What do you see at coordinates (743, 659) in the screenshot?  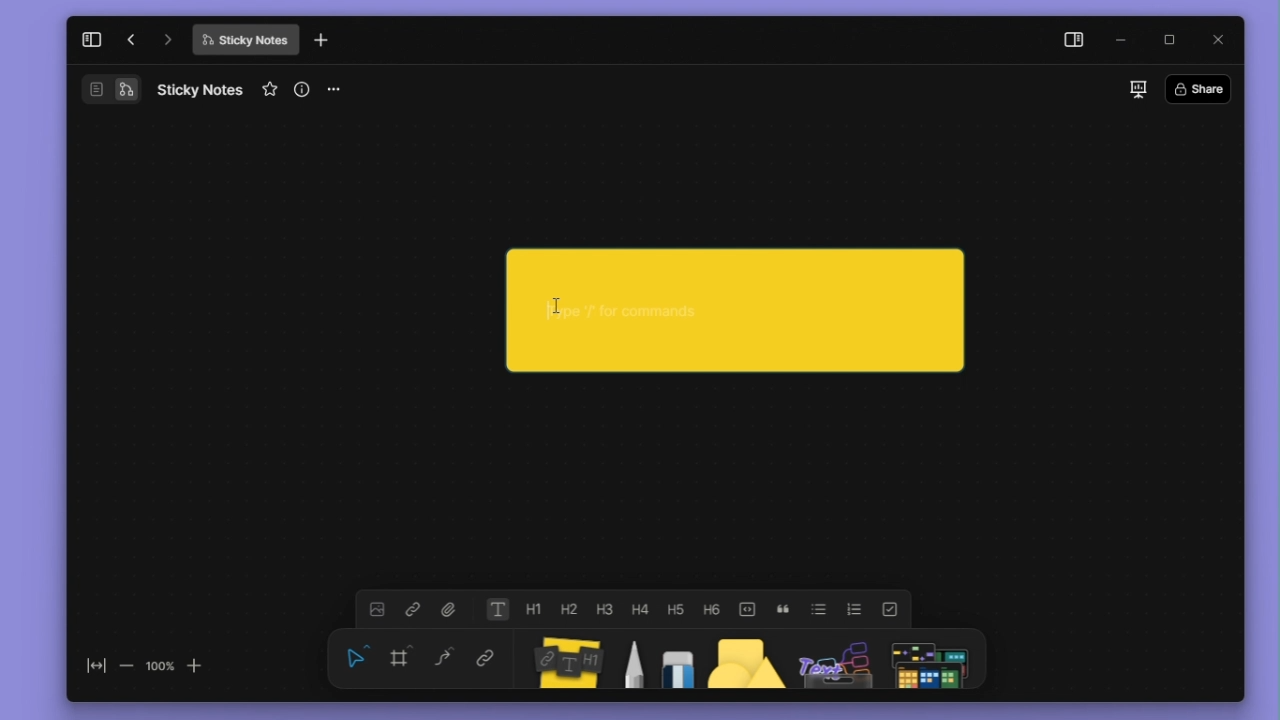 I see `shape` at bounding box center [743, 659].